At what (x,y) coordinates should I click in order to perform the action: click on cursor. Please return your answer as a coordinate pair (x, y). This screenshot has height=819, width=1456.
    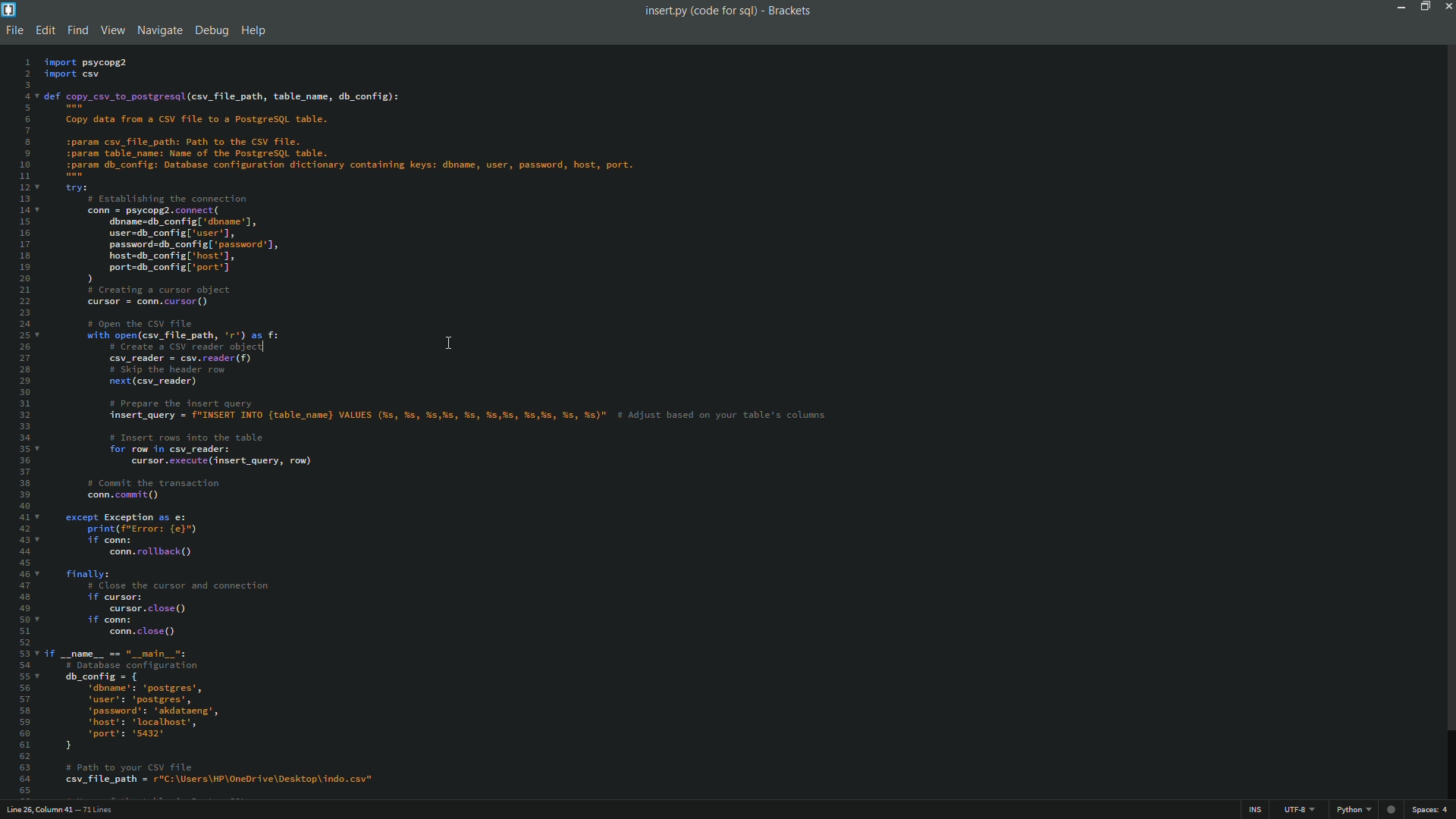
    Looking at the image, I should click on (453, 344).